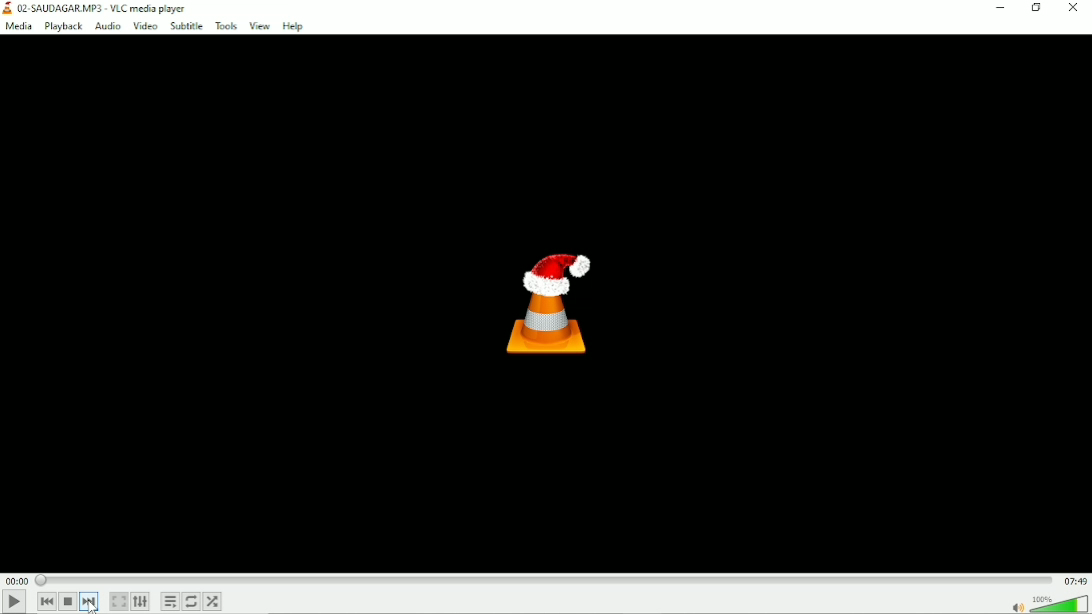 The height and width of the screenshot is (614, 1092). I want to click on Playback, so click(62, 26).